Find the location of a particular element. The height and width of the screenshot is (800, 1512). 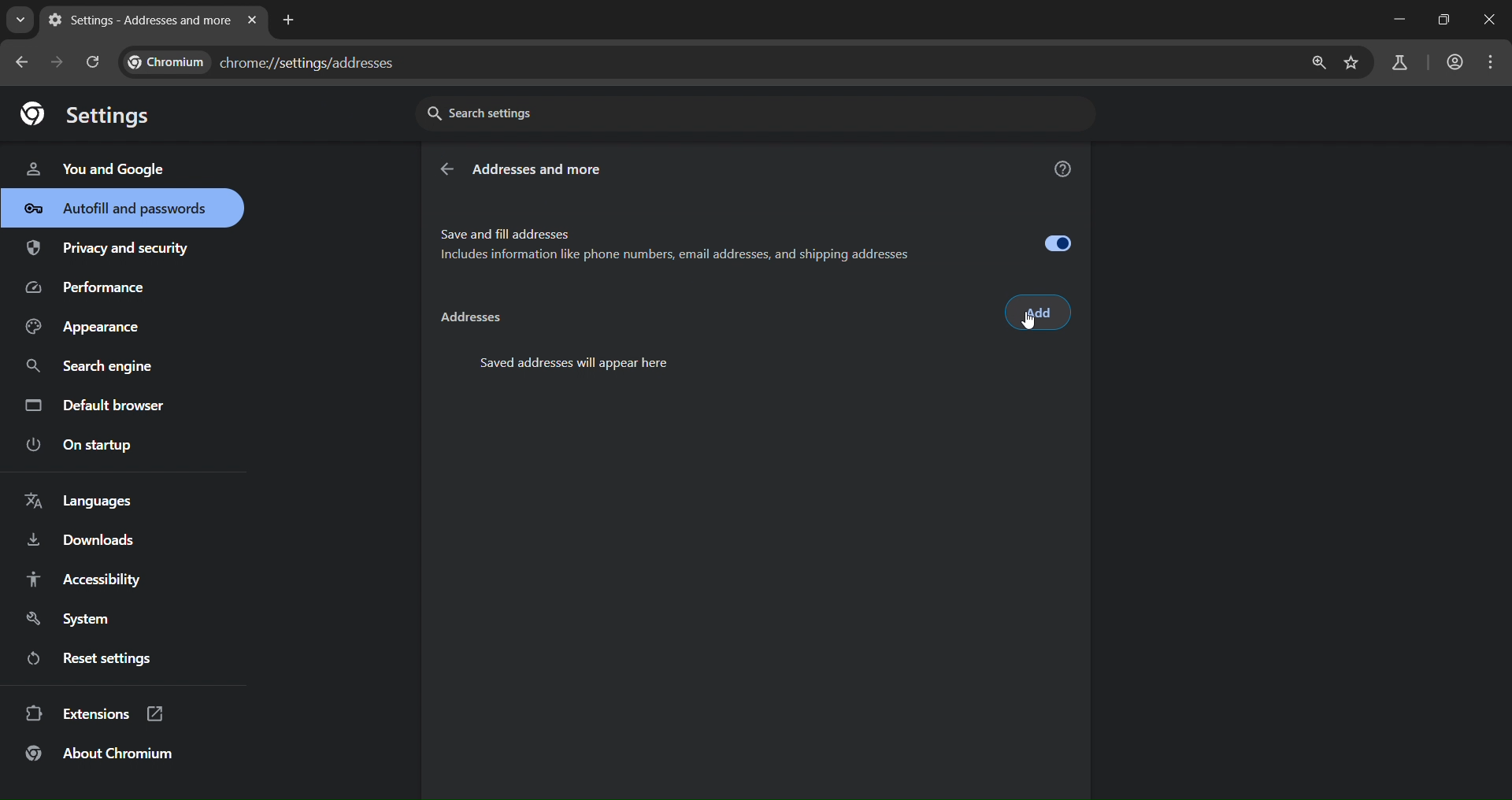

go back one page is located at coordinates (24, 61).